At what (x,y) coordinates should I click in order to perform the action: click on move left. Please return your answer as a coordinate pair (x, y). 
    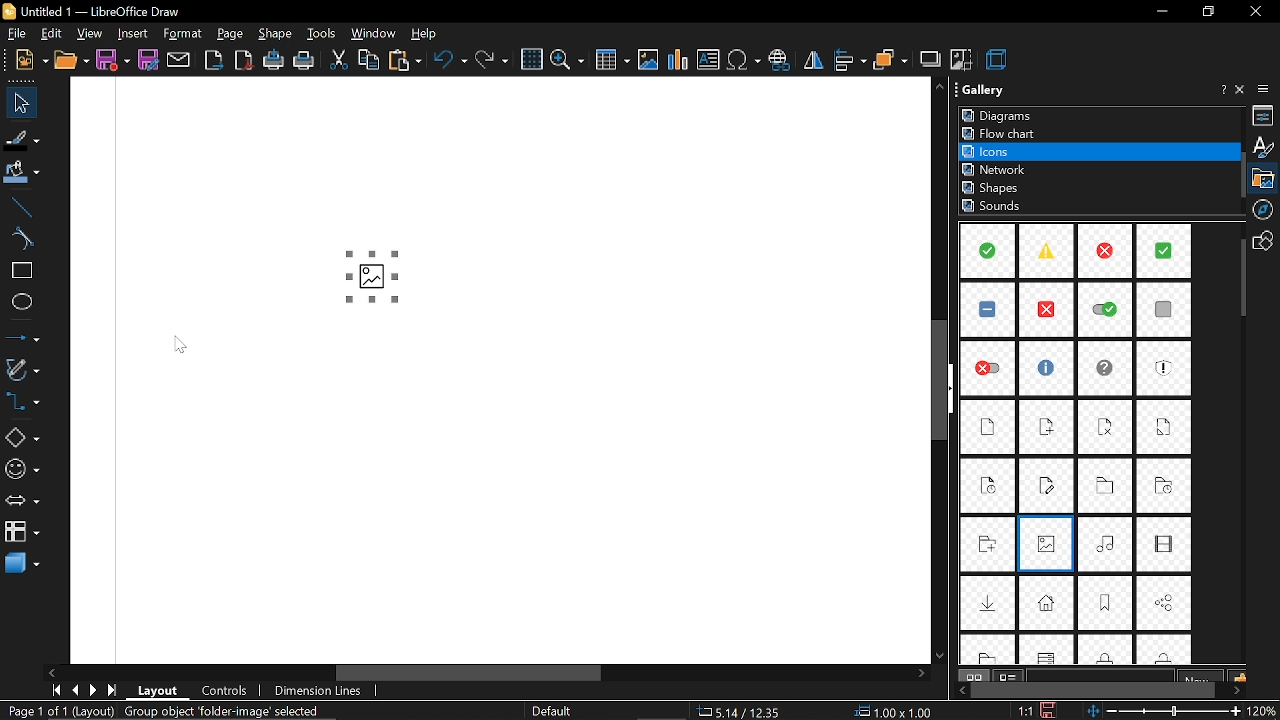
    Looking at the image, I should click on (958, 690).